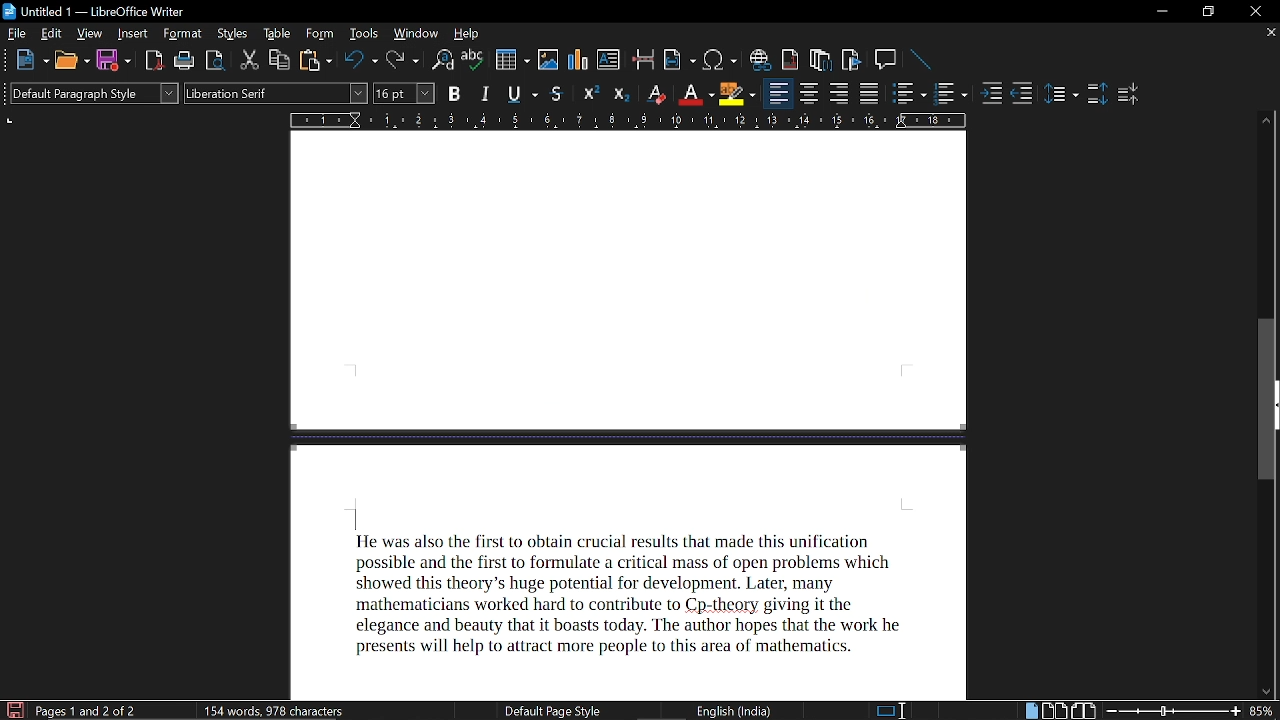  What do you see at coordinates (679, 61) in the screenshot?
I see `insert field` at bounding box center [679, 61].